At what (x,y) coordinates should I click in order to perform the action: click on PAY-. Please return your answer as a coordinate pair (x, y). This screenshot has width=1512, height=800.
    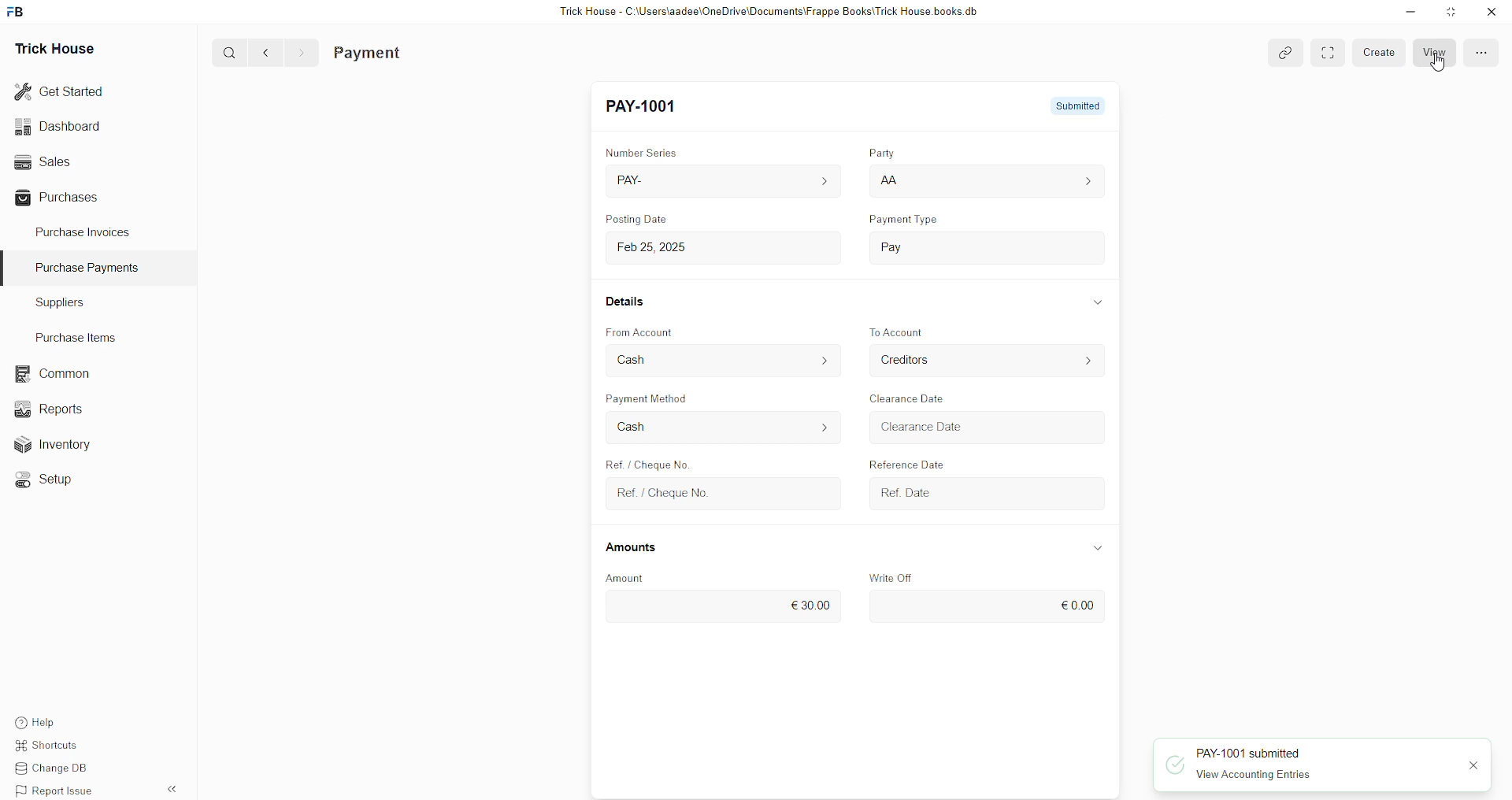
    Looking at the image, I should click on (643, 183).